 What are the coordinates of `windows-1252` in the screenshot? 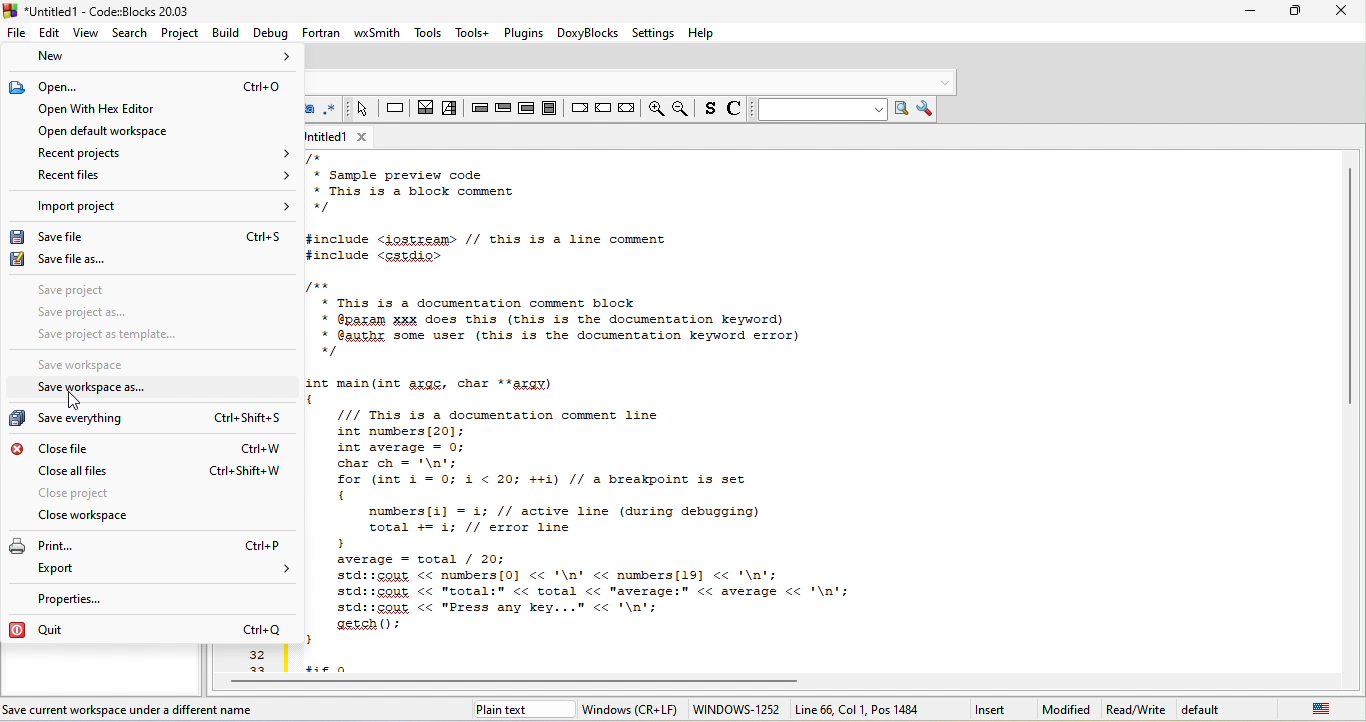 It's located at (735, 709).